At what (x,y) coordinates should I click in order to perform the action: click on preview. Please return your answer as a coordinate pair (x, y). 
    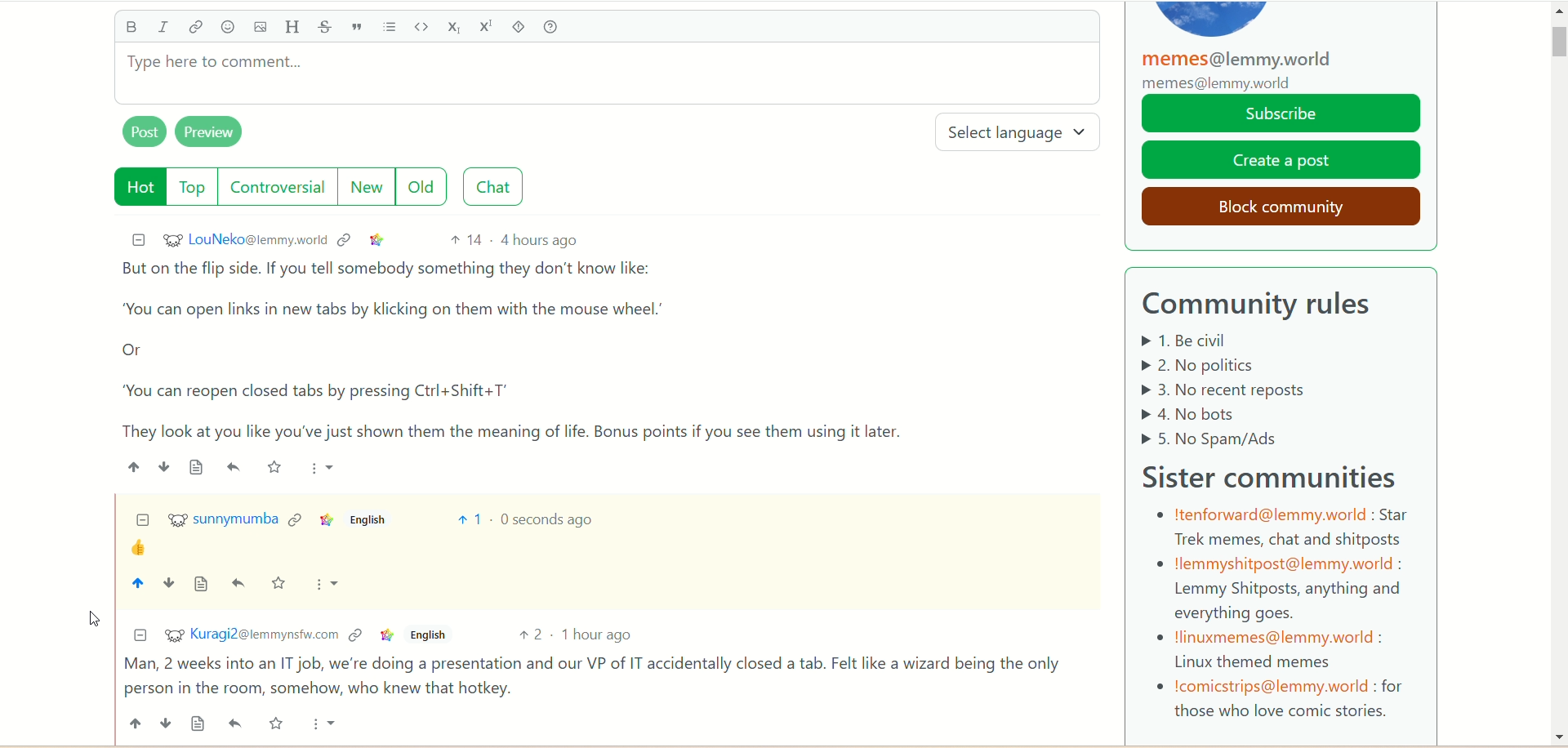
    Looking at the image, I should click on (217, 134).